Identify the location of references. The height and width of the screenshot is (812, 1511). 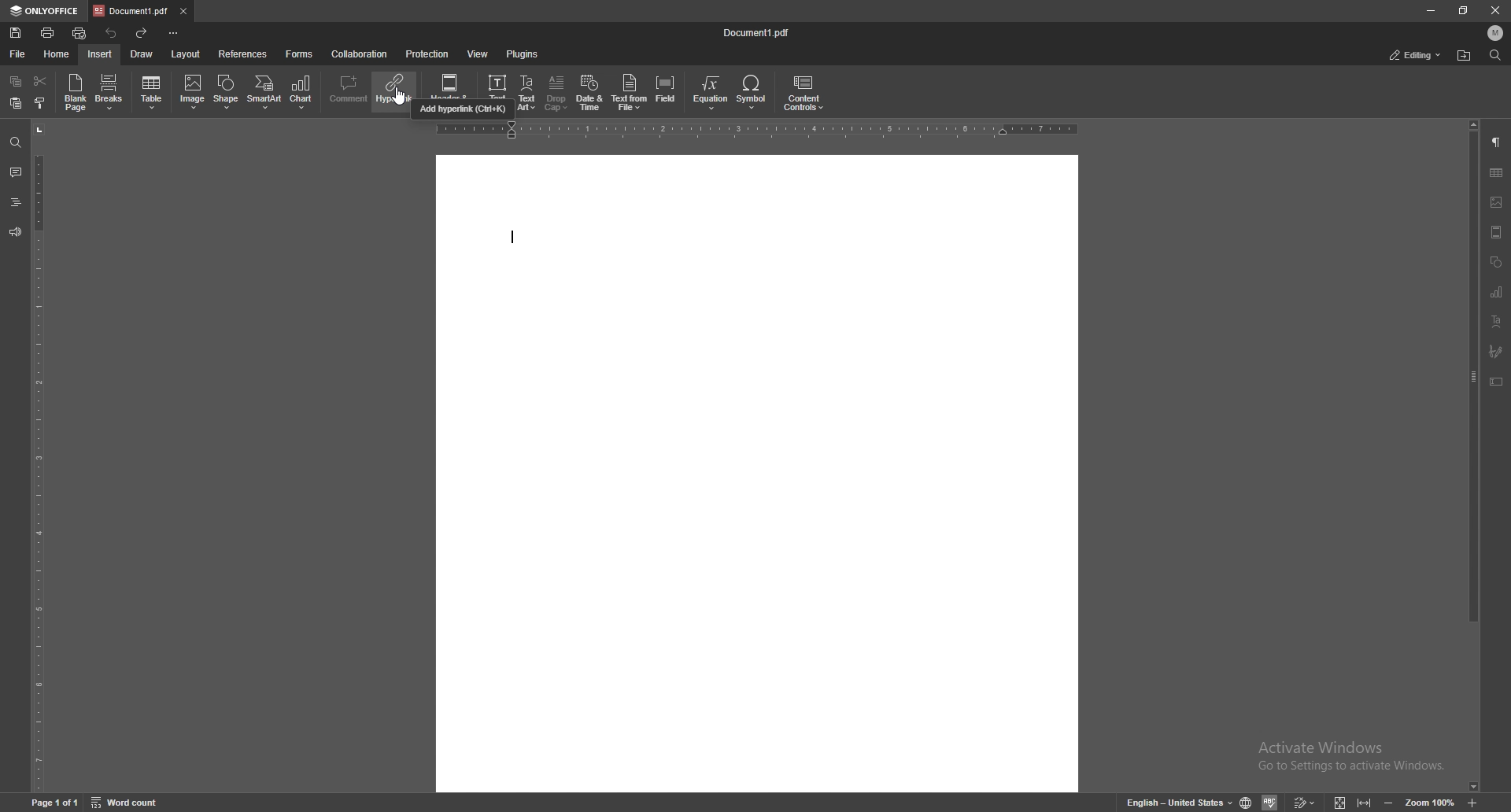
(243, 54).